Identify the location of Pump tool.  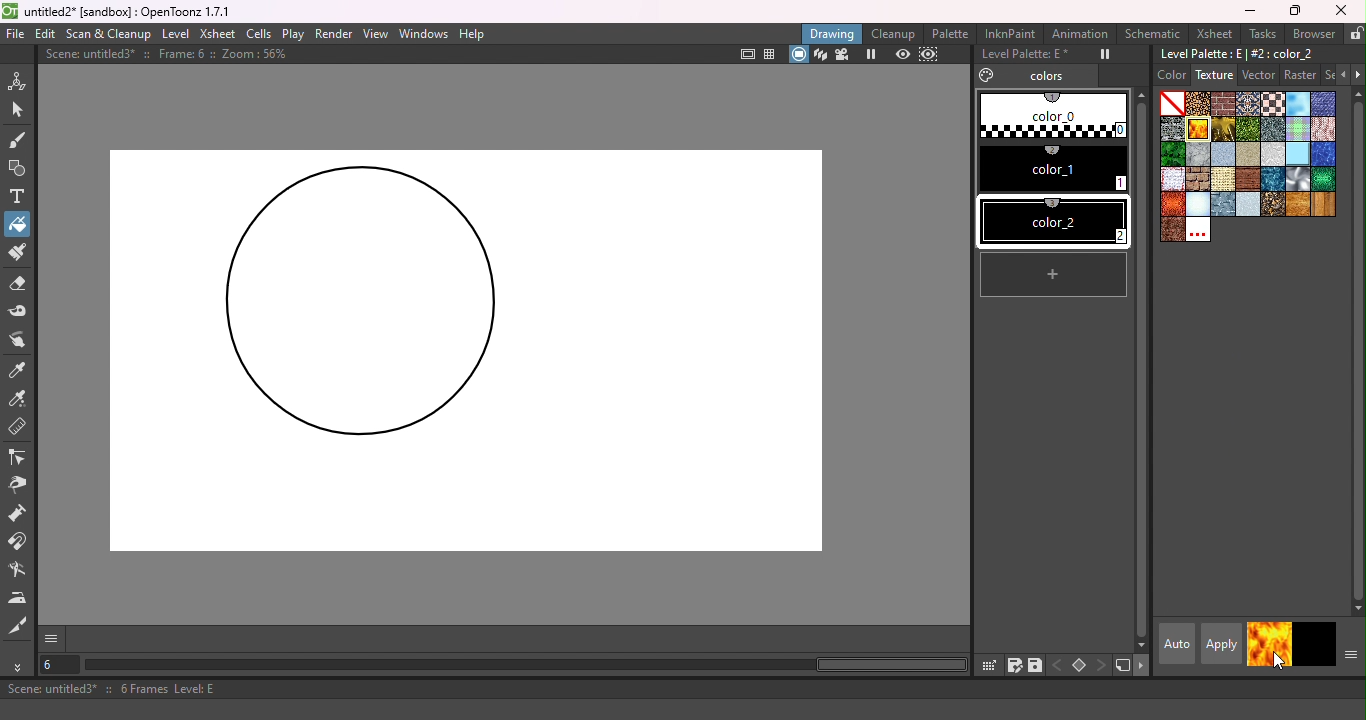
(21, 513).